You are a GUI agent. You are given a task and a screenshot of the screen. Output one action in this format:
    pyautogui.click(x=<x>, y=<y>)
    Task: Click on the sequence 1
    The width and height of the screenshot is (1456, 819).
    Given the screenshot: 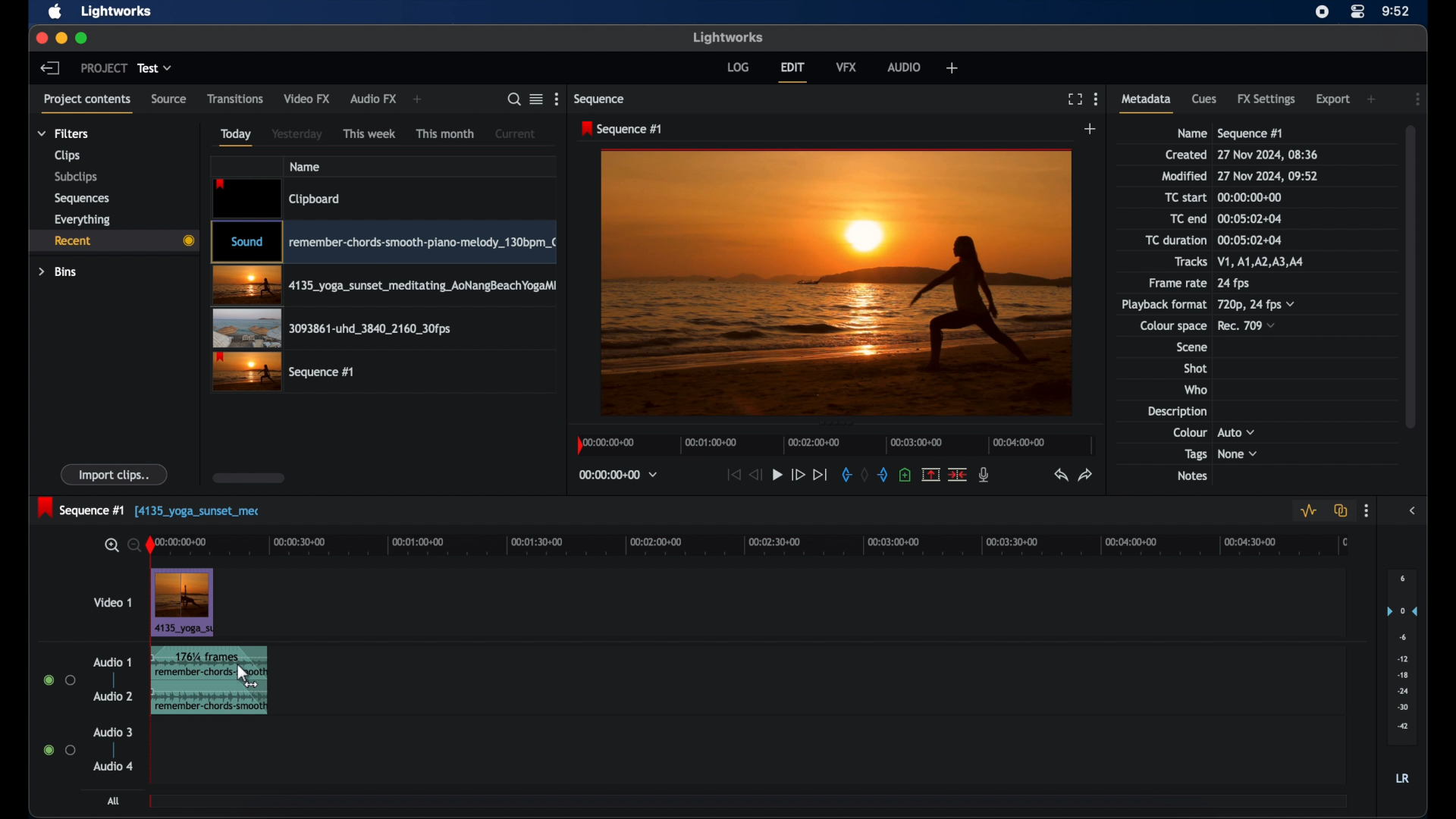 What is the action you would take?
    pyautogui.click(x=622, y=129)
    